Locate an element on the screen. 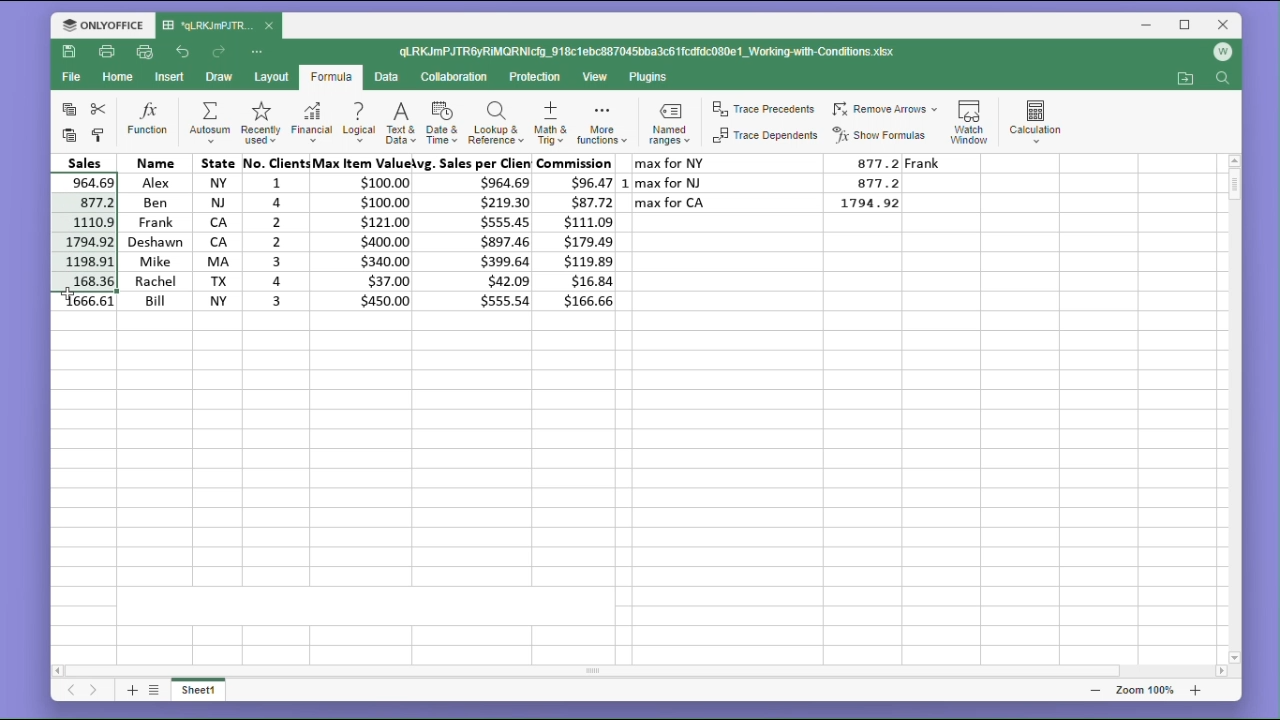 The width and height of the screenshot is (1280, 720). scroll right is located at coordinates (1220, 672).